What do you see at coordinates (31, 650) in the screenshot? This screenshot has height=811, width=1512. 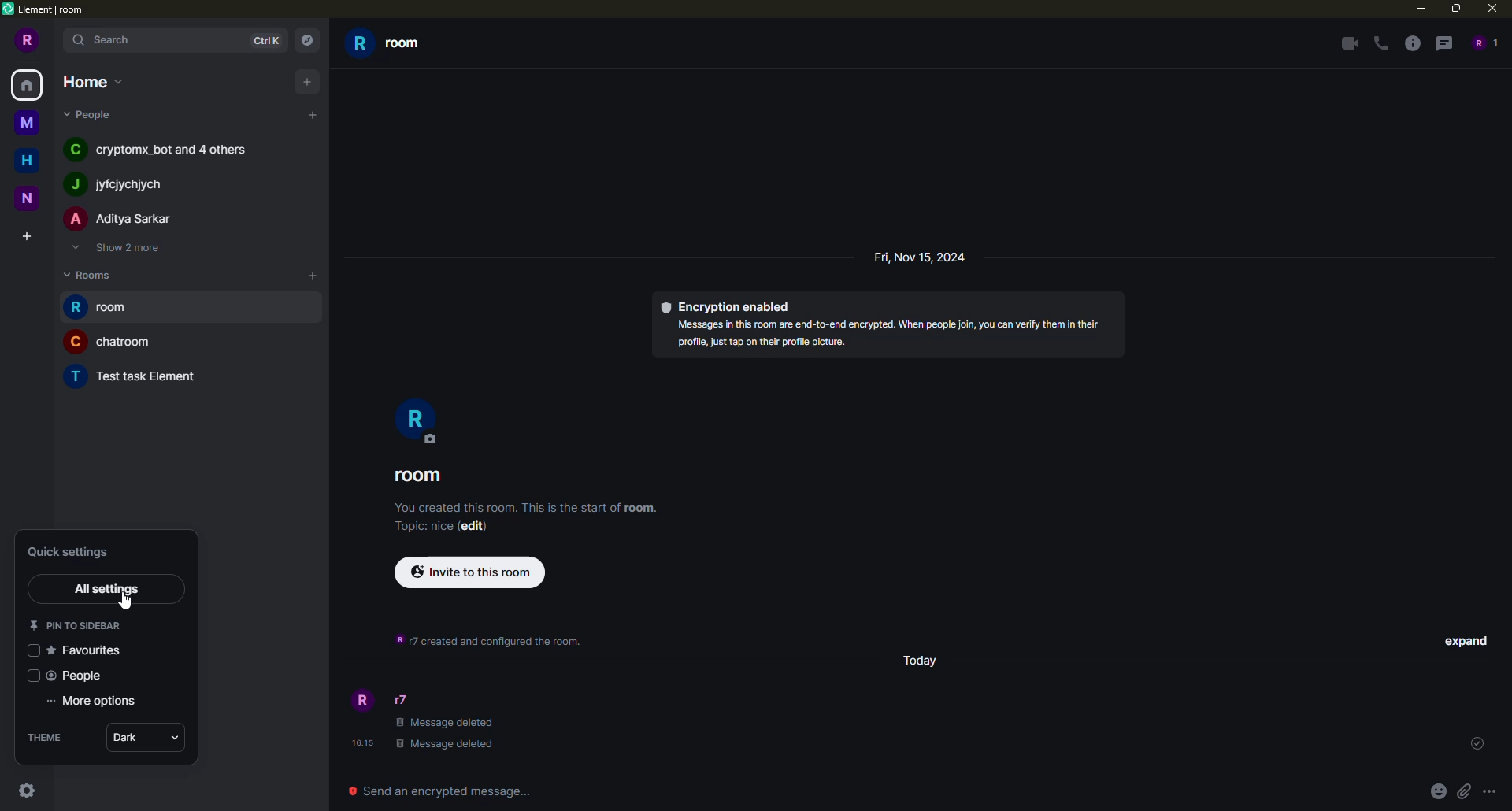 I see `select` at bounding box center [31, 650].